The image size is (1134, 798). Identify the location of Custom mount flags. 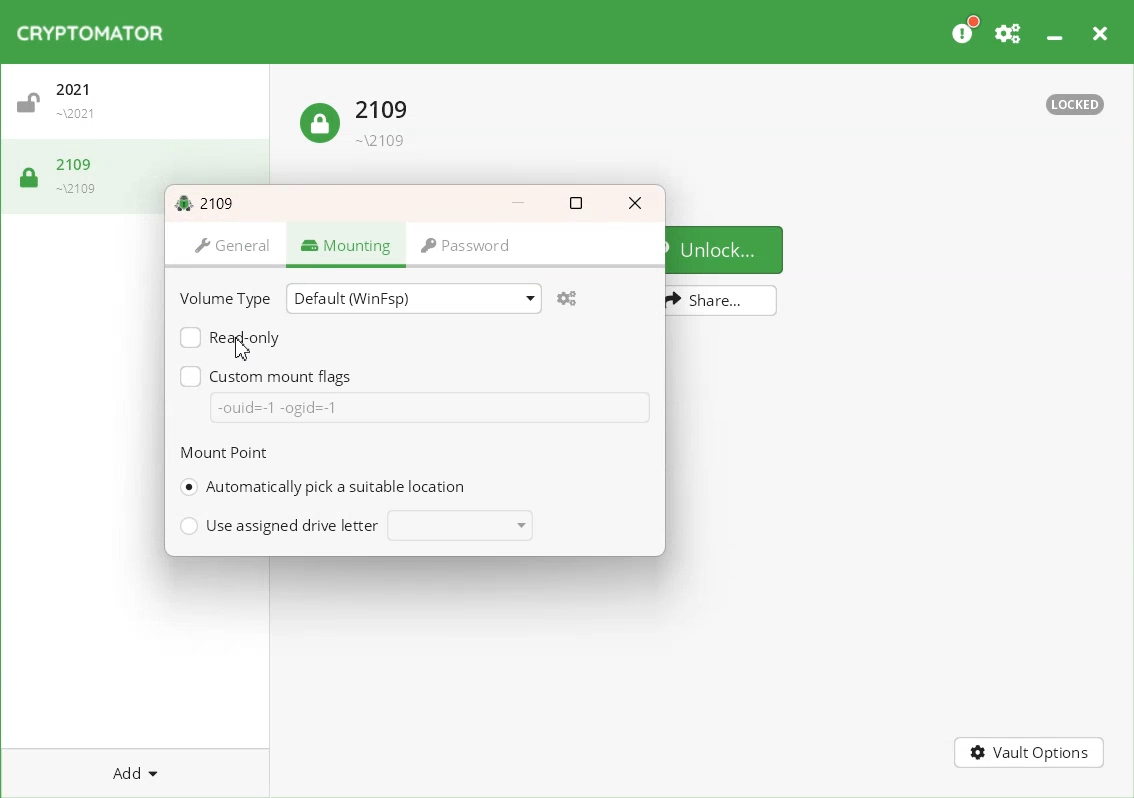
(270, 375).